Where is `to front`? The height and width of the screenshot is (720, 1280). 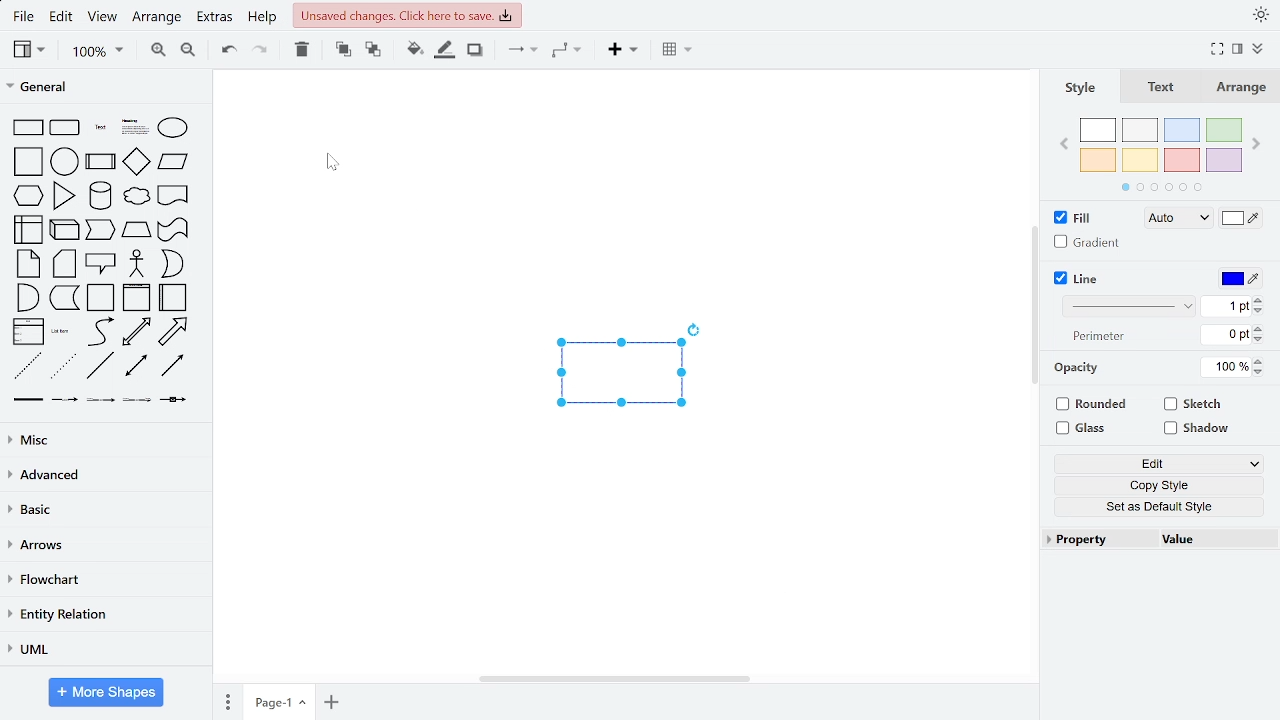
to front is located at coordinates (342, 51).